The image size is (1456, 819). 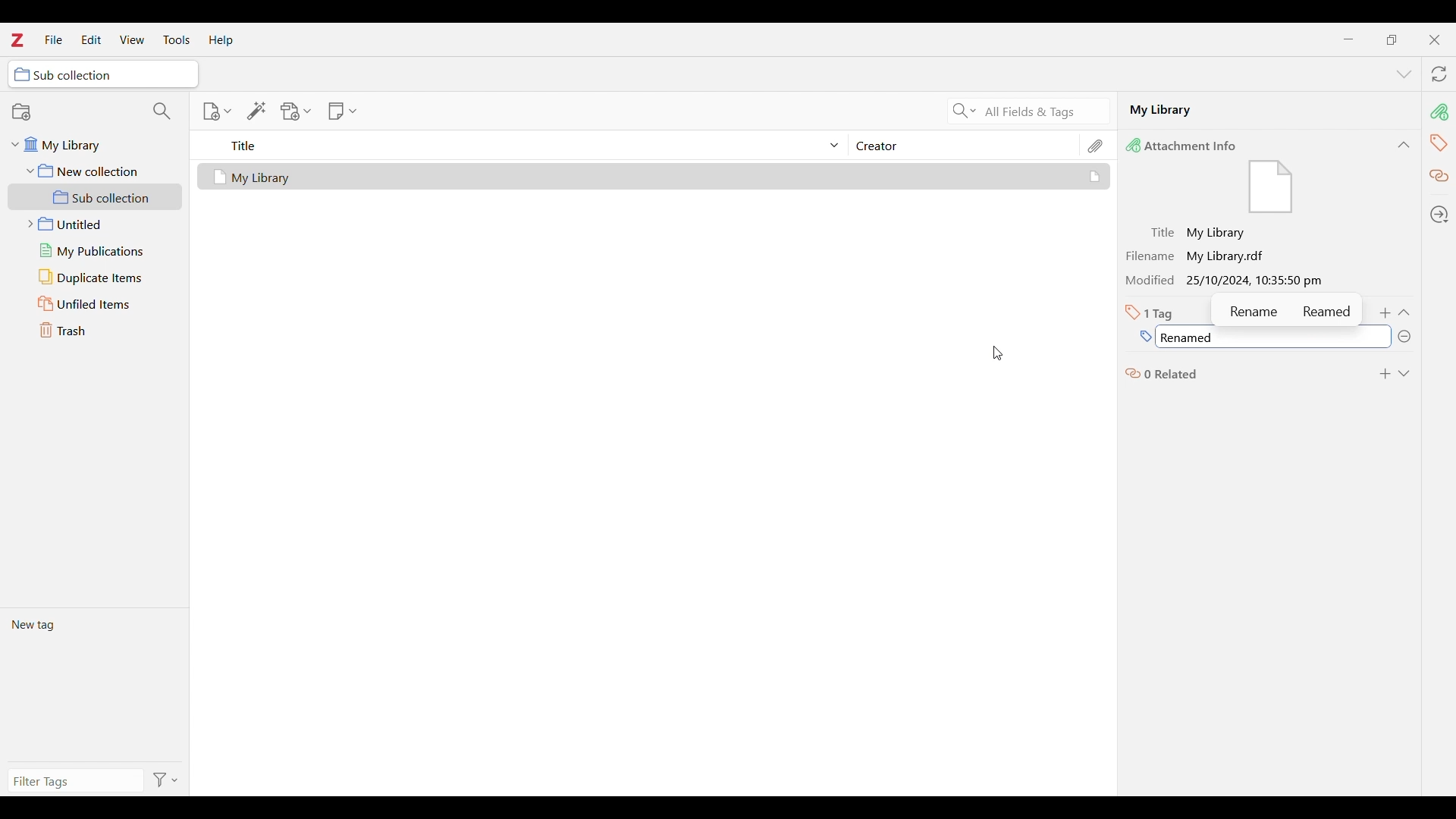 I want to click on Trash folder, so click(x=95, y=330).